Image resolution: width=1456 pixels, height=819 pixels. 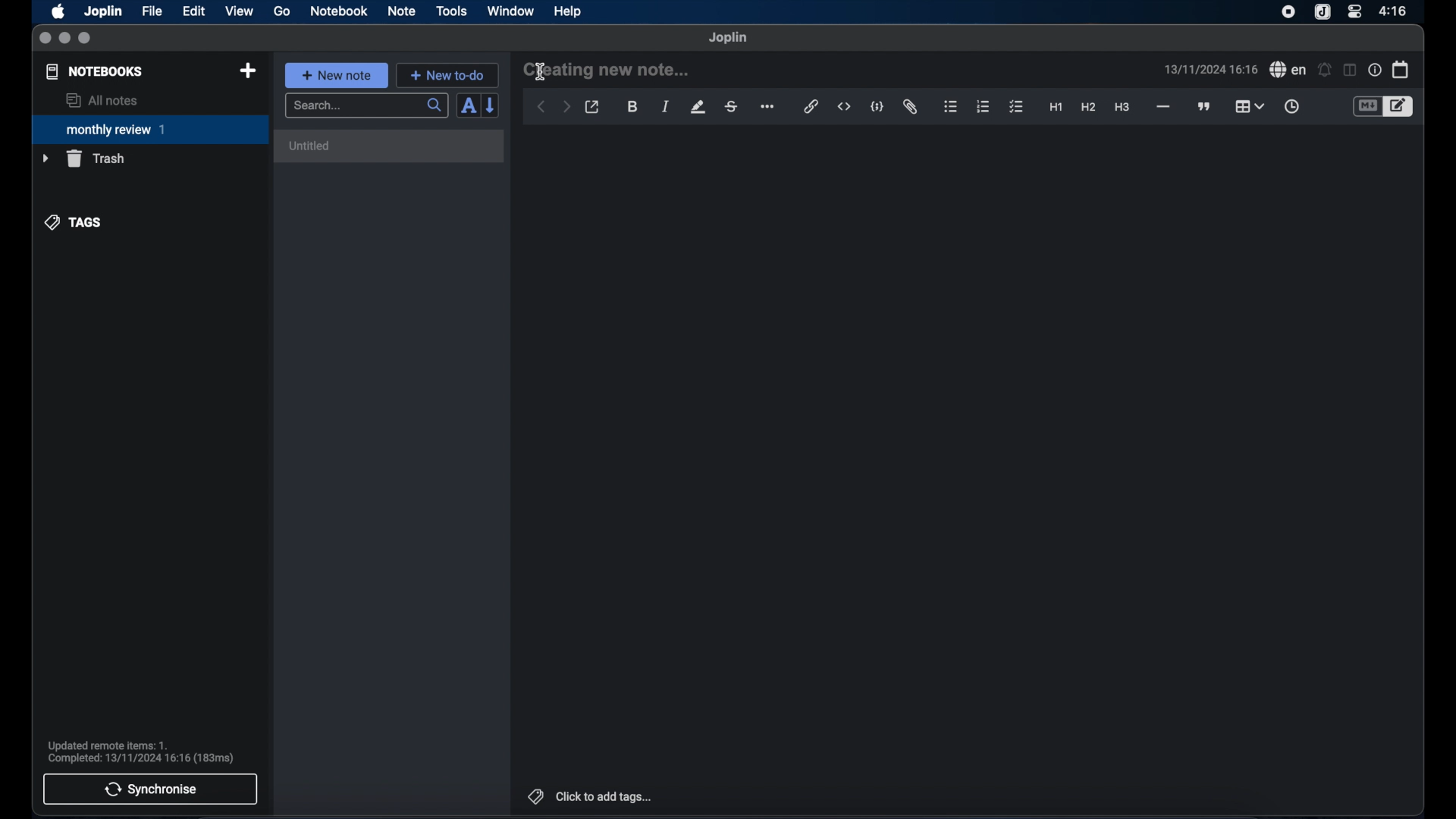 What do you see at coordinates (402, 11) in the screenshot?
I see `note` at bounding box center [402, 11].